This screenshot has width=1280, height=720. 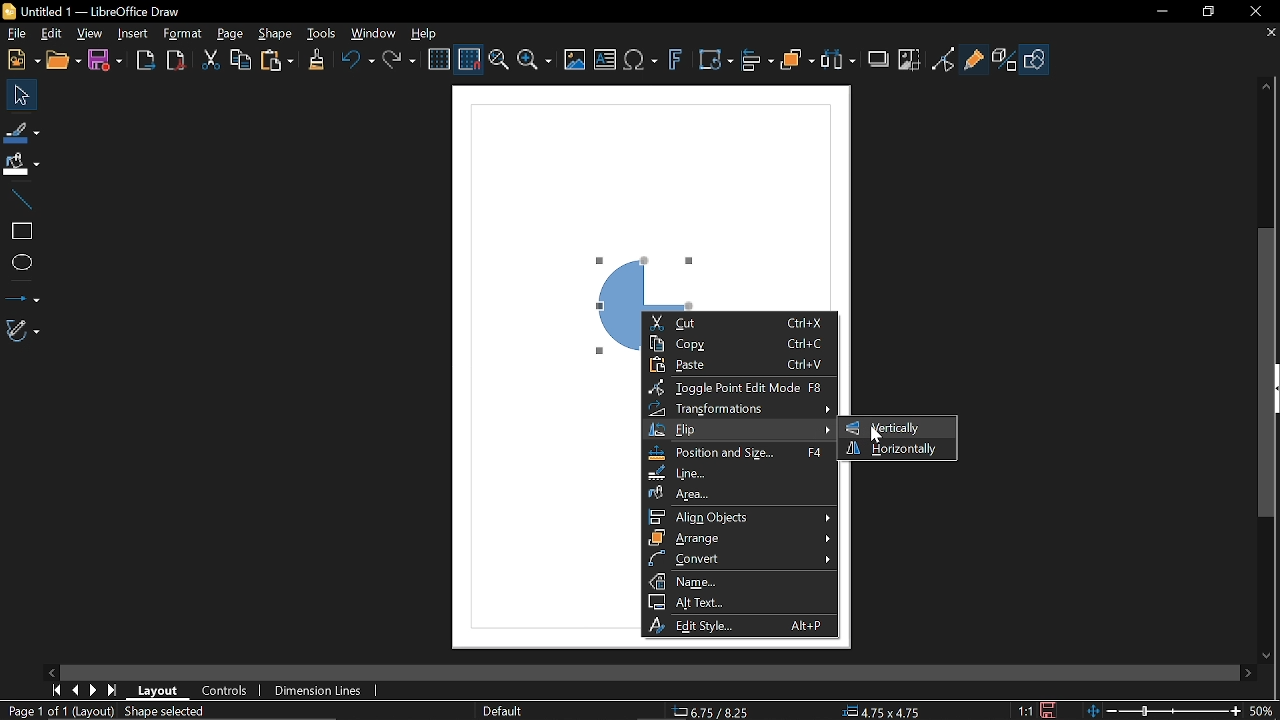 What do you see at coordinates (757, 61) in the screenshot?
I see `Align` at bounding box center [757, 61].